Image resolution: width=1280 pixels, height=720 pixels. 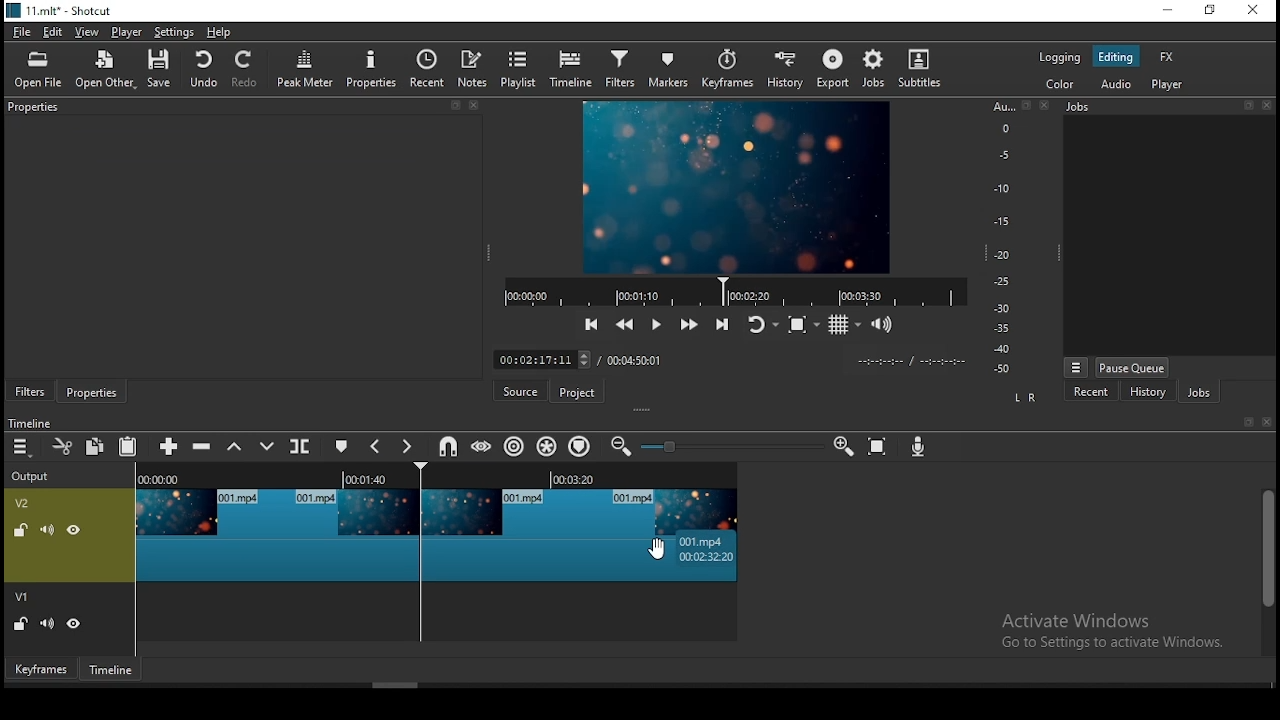 What do you see at coordinates (339, 444) in the screenshot?
I see `create/edit marker` at bounding box center [339, 444].